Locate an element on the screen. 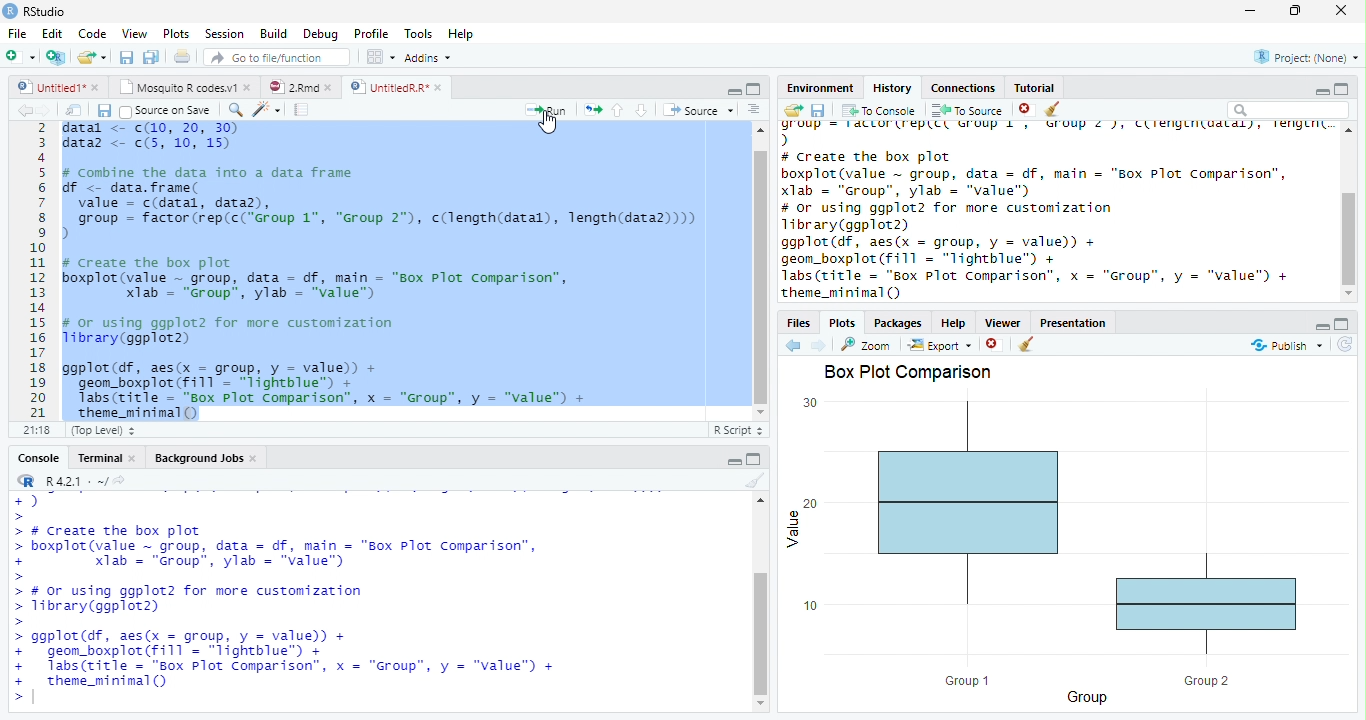 The image size is (1366, 720). Show in new window is located at coordinates (74, 109).